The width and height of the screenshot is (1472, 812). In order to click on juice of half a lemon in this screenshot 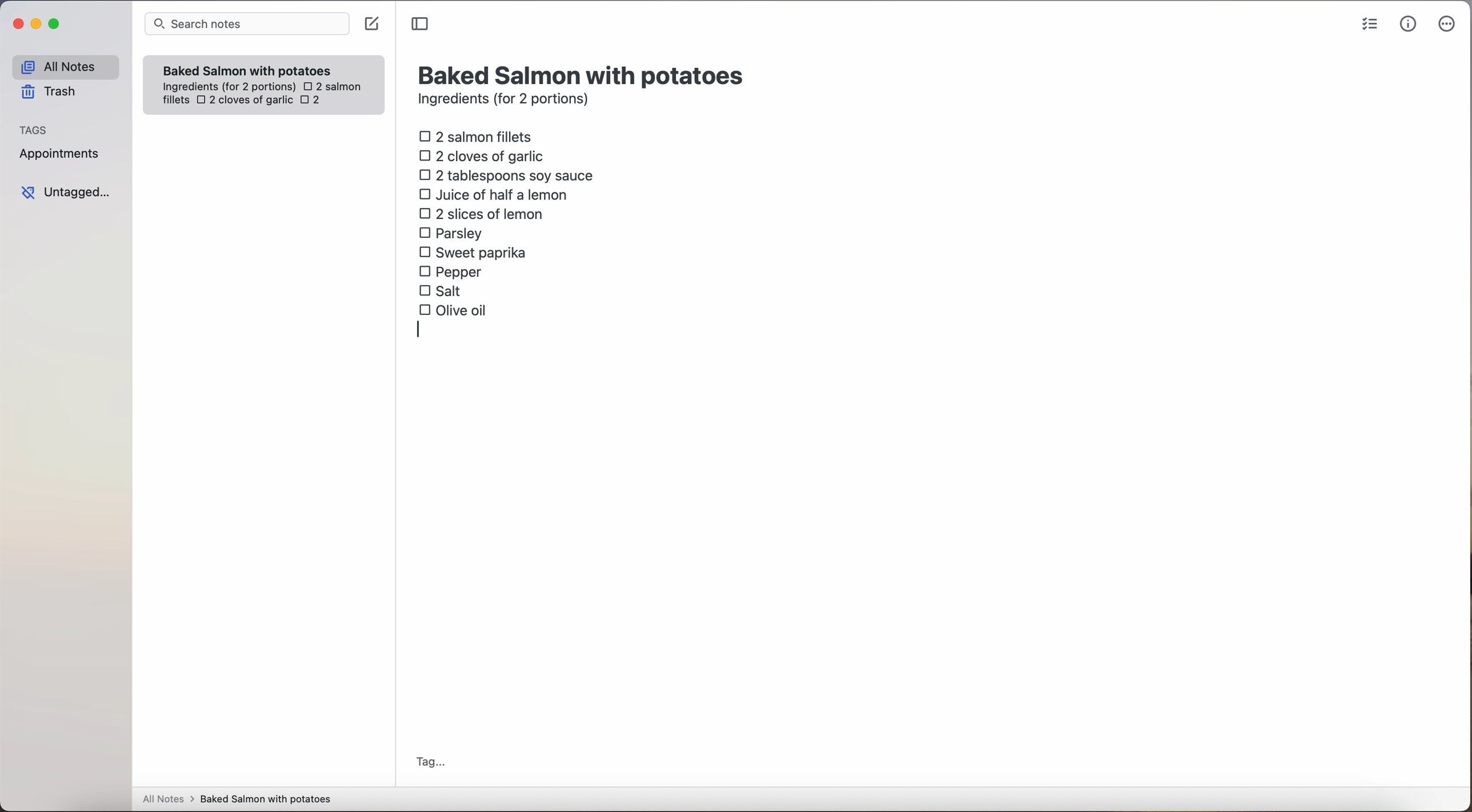, I will do `click(497, 194)`.